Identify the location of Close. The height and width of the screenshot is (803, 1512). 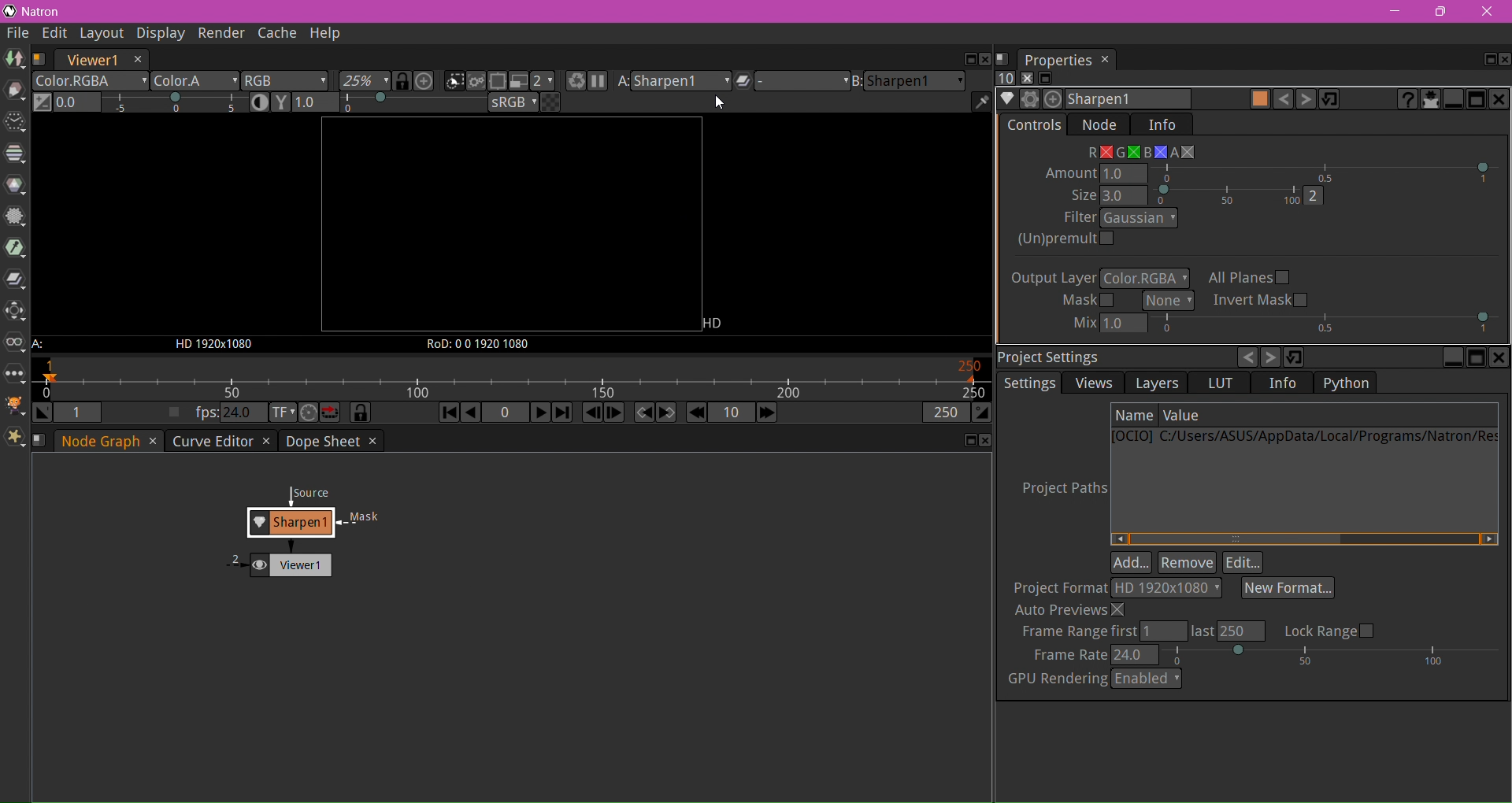
(1024, 78).